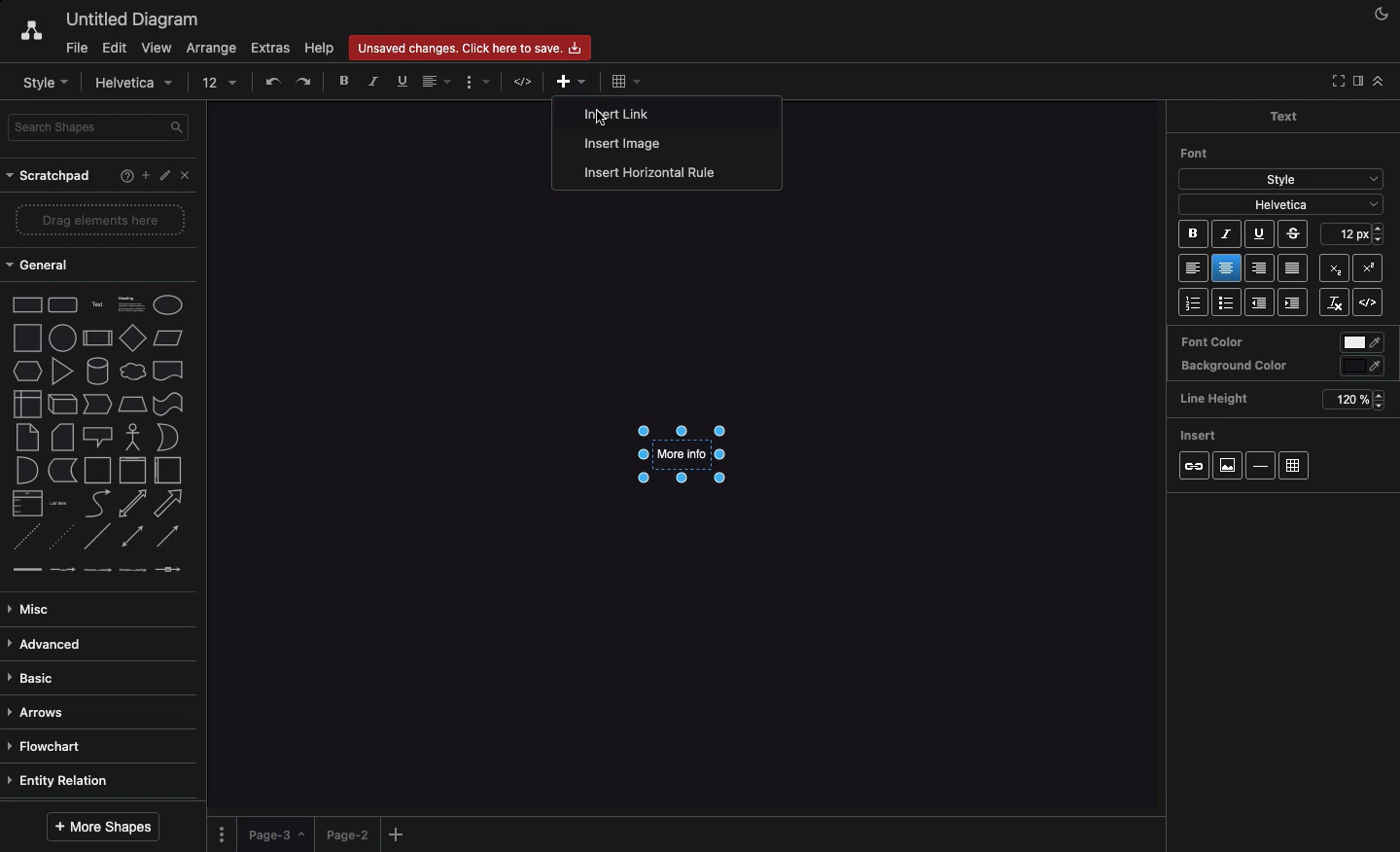 This screenshot has width=1400, height=852. What do you see at coordinates (599, 119) in the screenshot?
I see `Cursor` at bounding box center [599, 119].